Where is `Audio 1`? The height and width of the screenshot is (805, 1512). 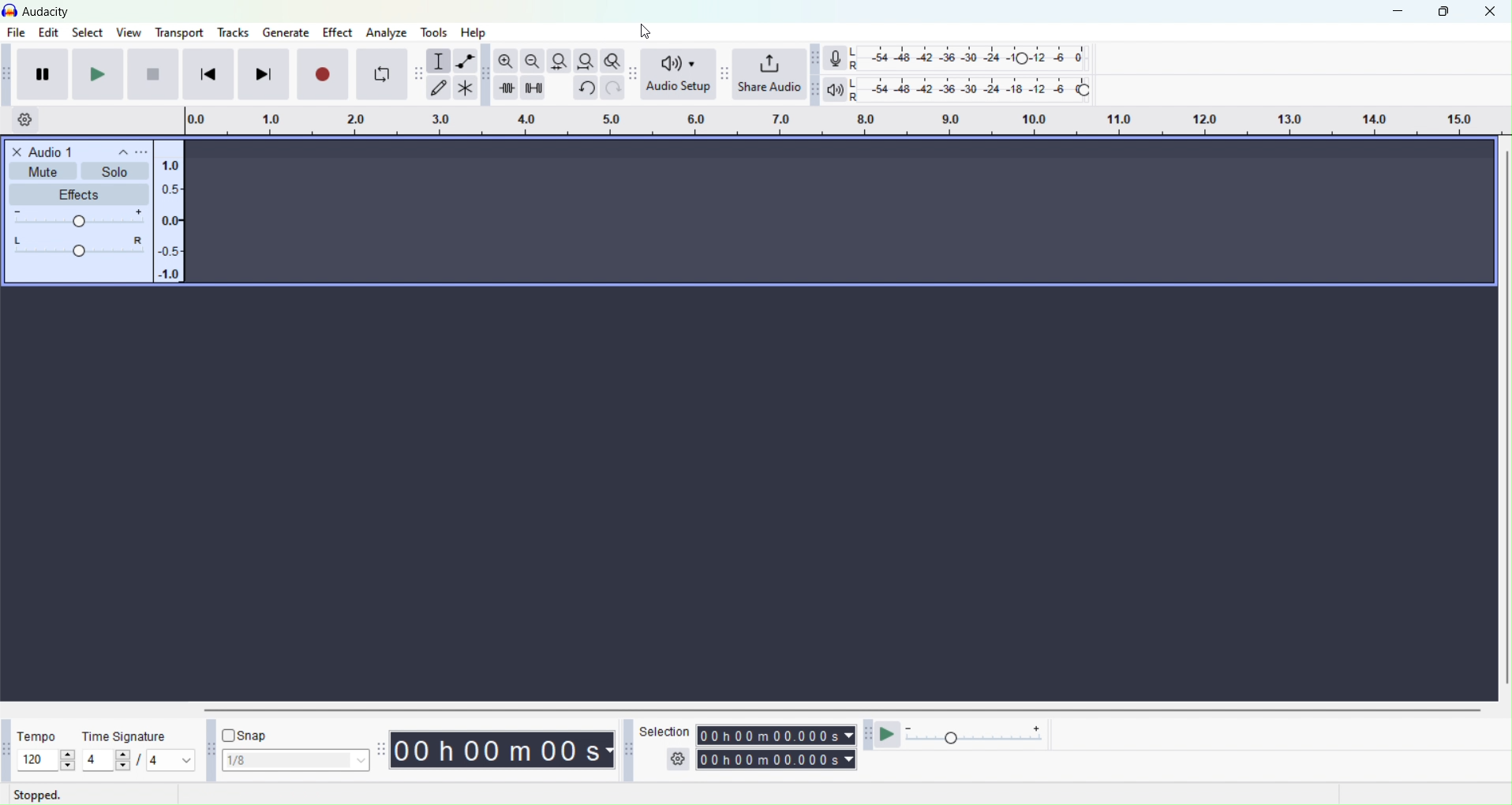
Audio 1 is located at coordinates (52, 152).